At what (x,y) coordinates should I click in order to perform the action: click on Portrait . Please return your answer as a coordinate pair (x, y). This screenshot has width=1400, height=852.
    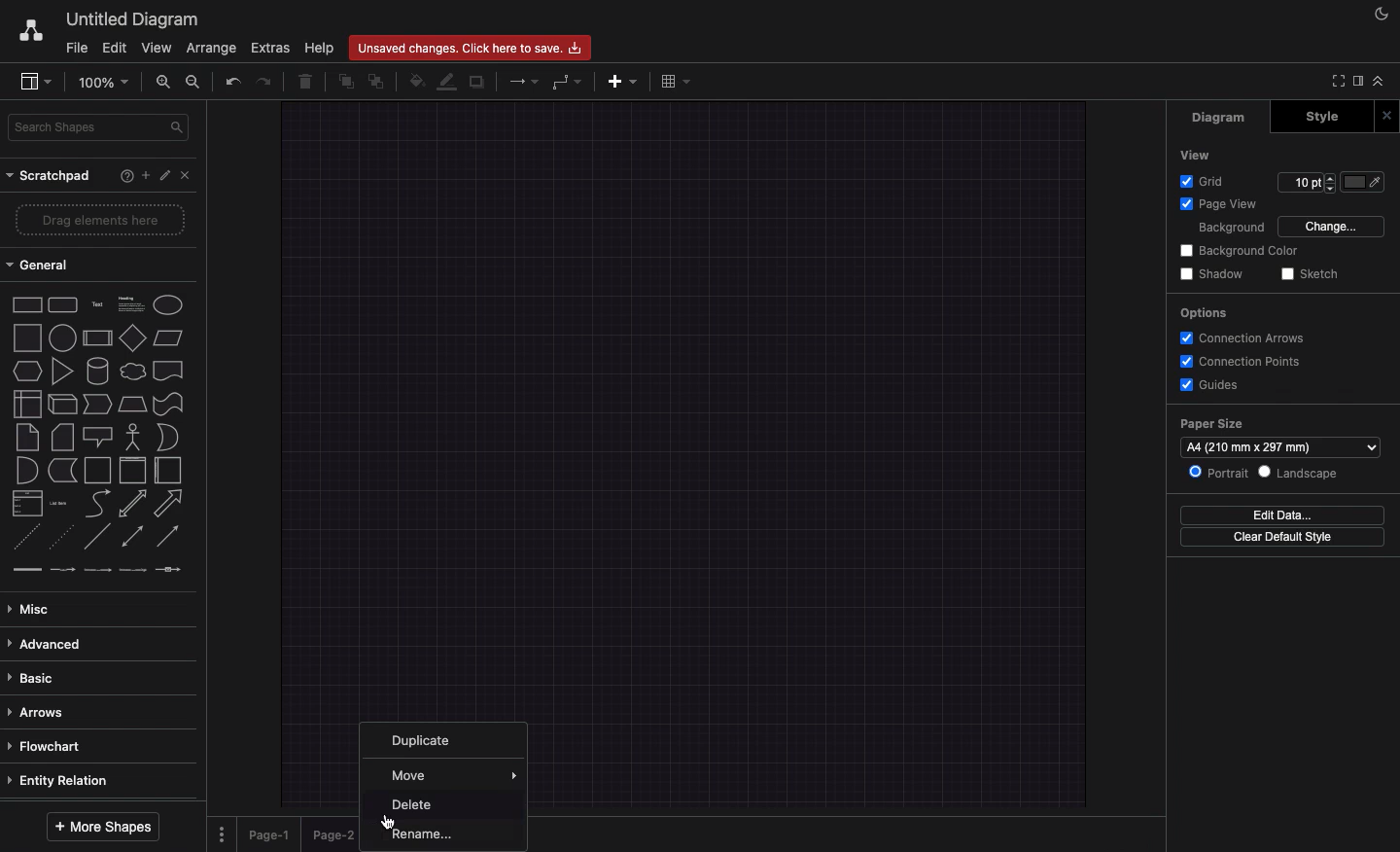
    Looking at the image, I should click on (1222, 473).